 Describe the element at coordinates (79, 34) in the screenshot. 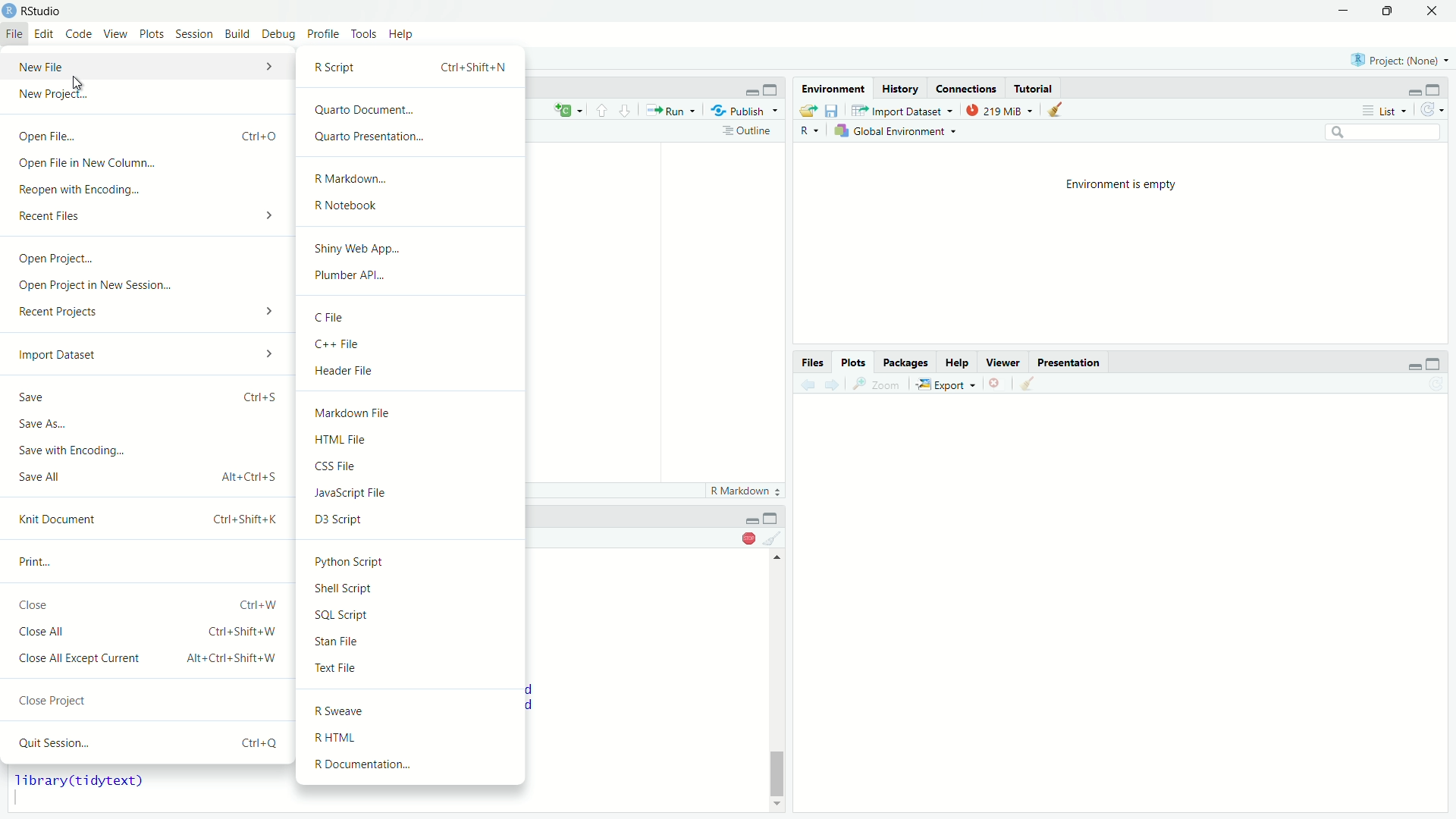

I see `Code` at that location.